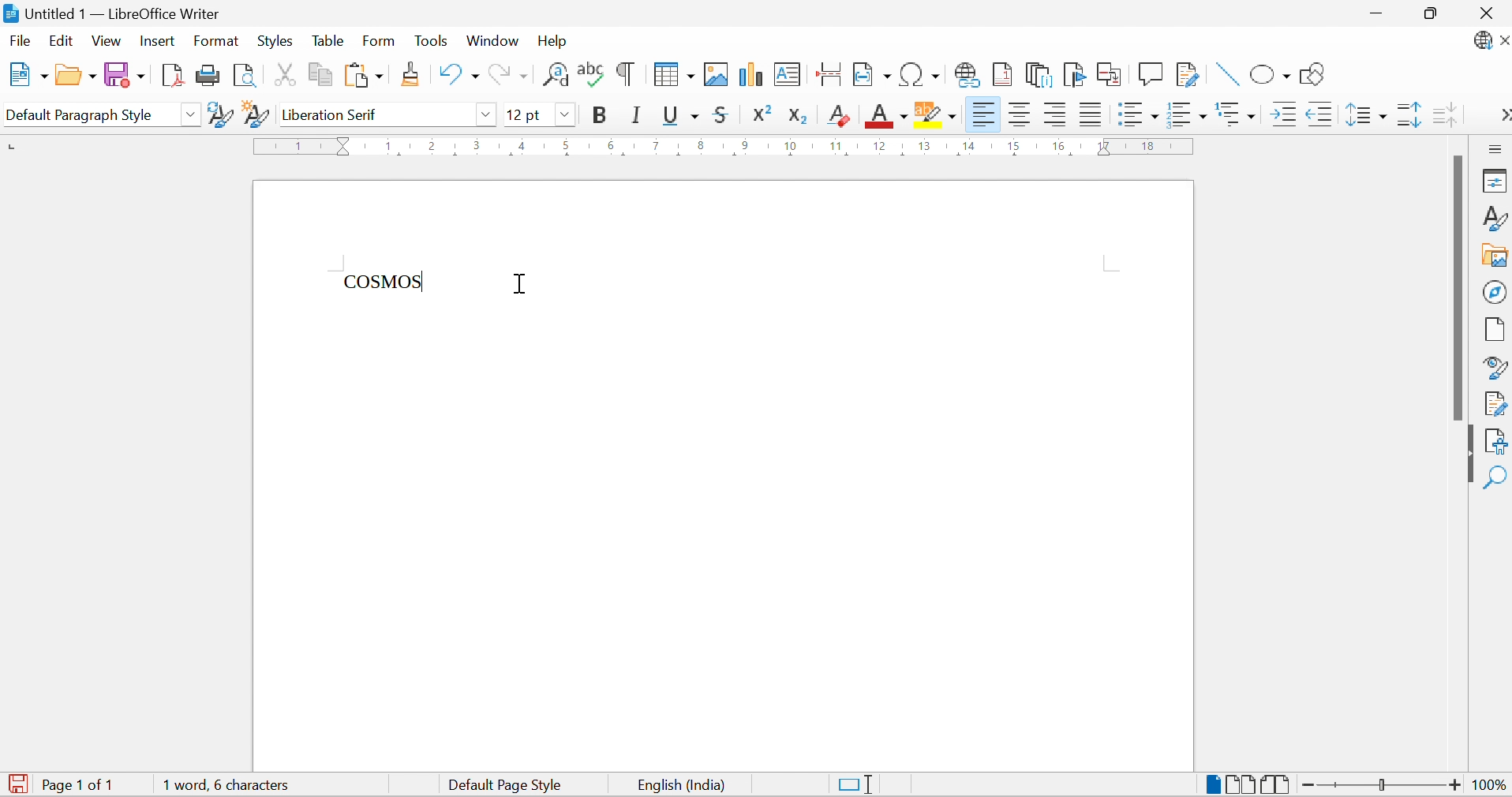 This screenshot has width=1512, height=797. I want to click on Standard Selection. Click to change selection mode., so click(859, 784).